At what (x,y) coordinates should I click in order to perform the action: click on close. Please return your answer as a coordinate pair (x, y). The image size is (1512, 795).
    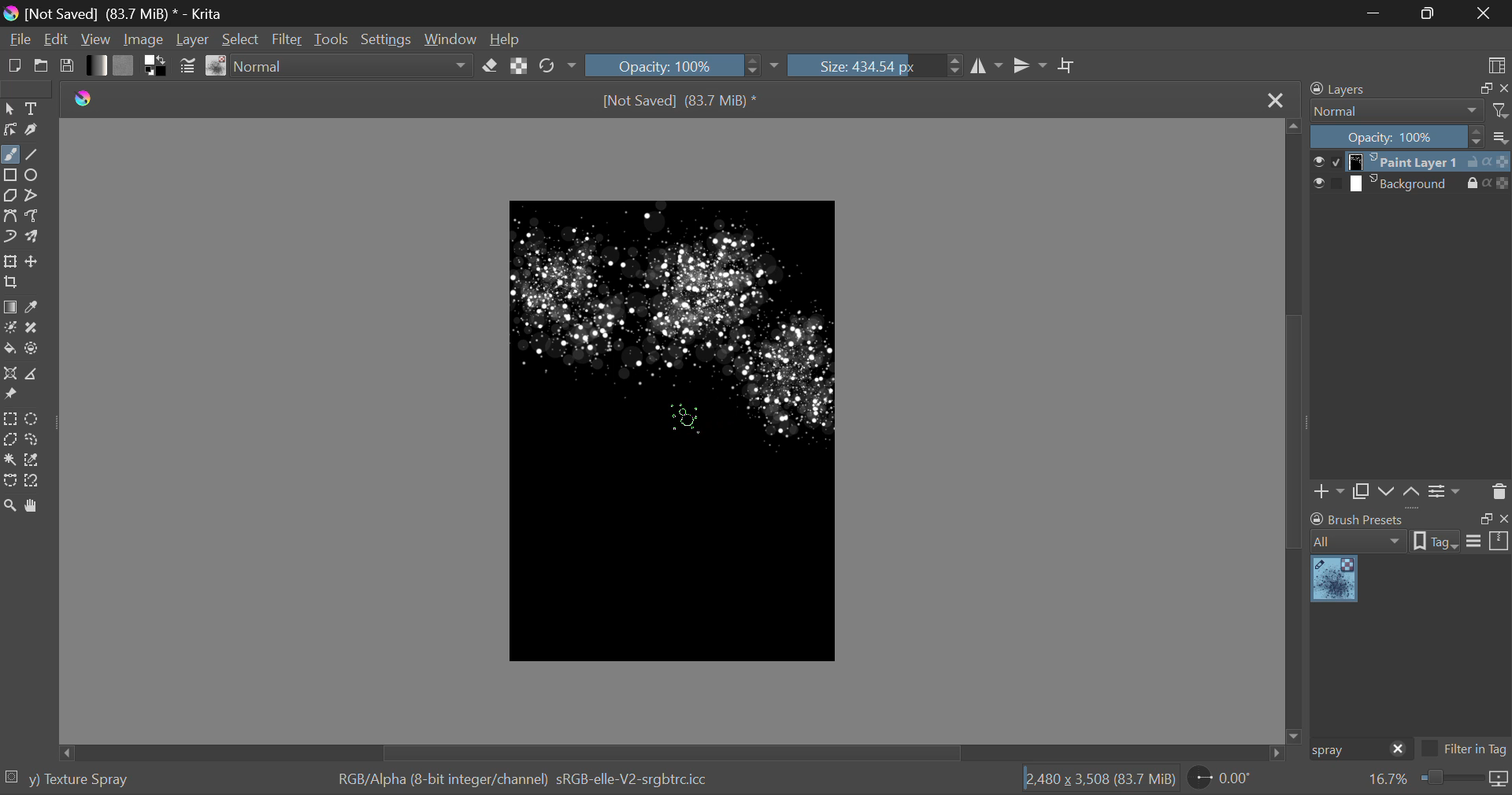
    Looking at the image, I should click on (1503, 89).